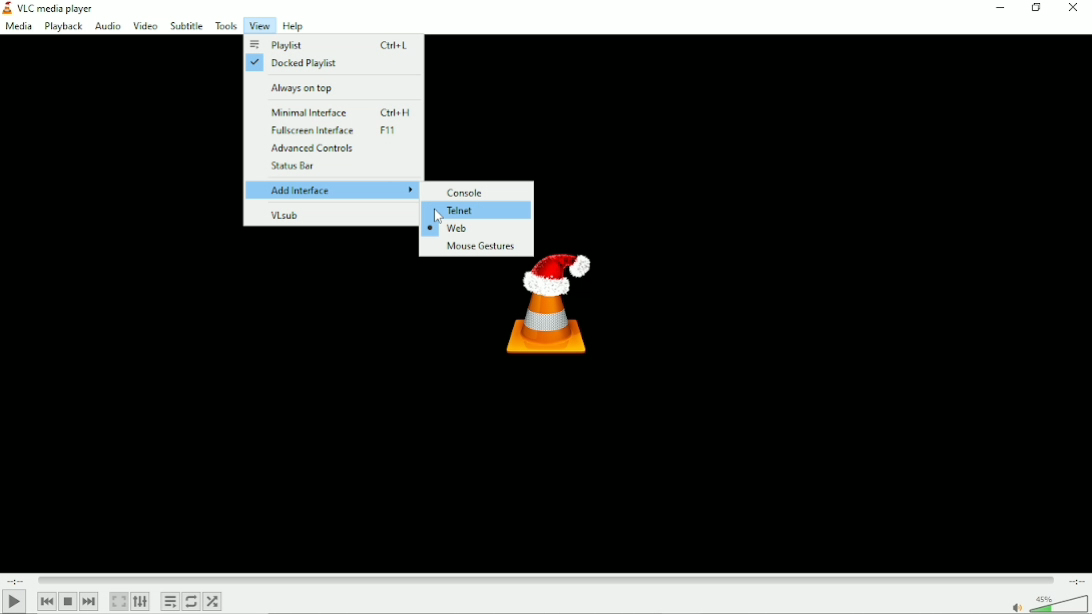 The width and height of the screenshot is (1092, 614). Describe the element at coordinates (226, 25) in the screenshot. I see `Tools` at that location.